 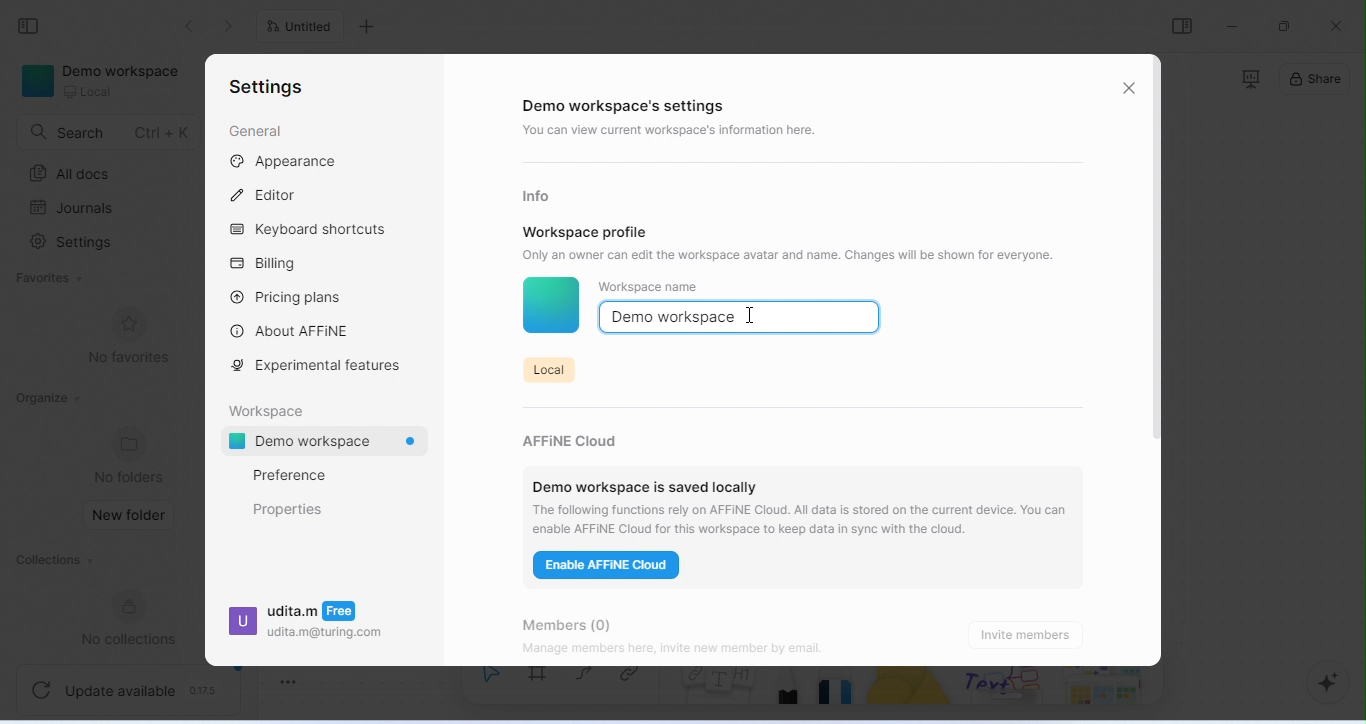 What do you see at coordinates (540, 195) in the screenshot?
I see `info` at bounding box center [540, 195].